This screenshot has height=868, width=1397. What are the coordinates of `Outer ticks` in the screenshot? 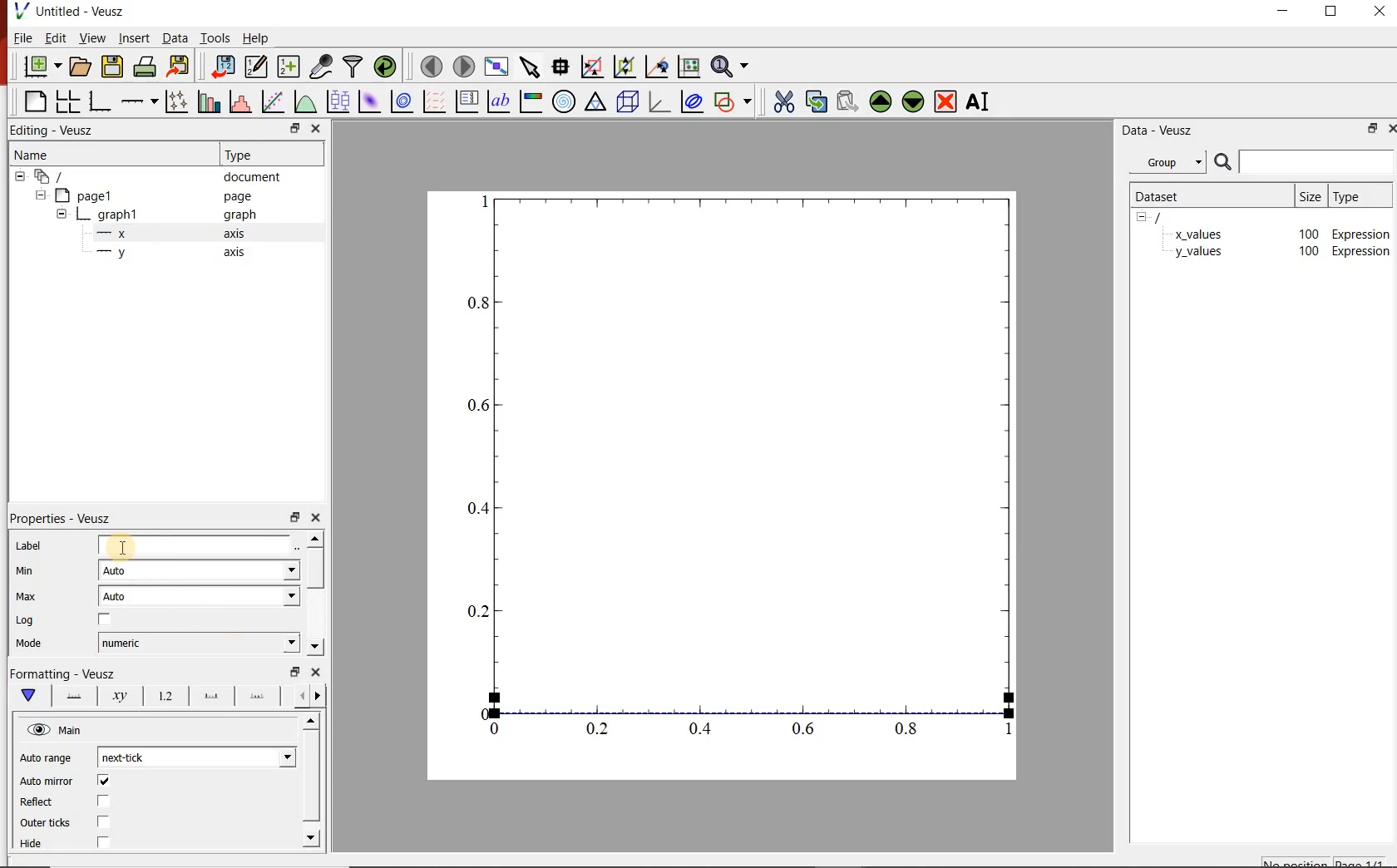 It's located at (46, 823).